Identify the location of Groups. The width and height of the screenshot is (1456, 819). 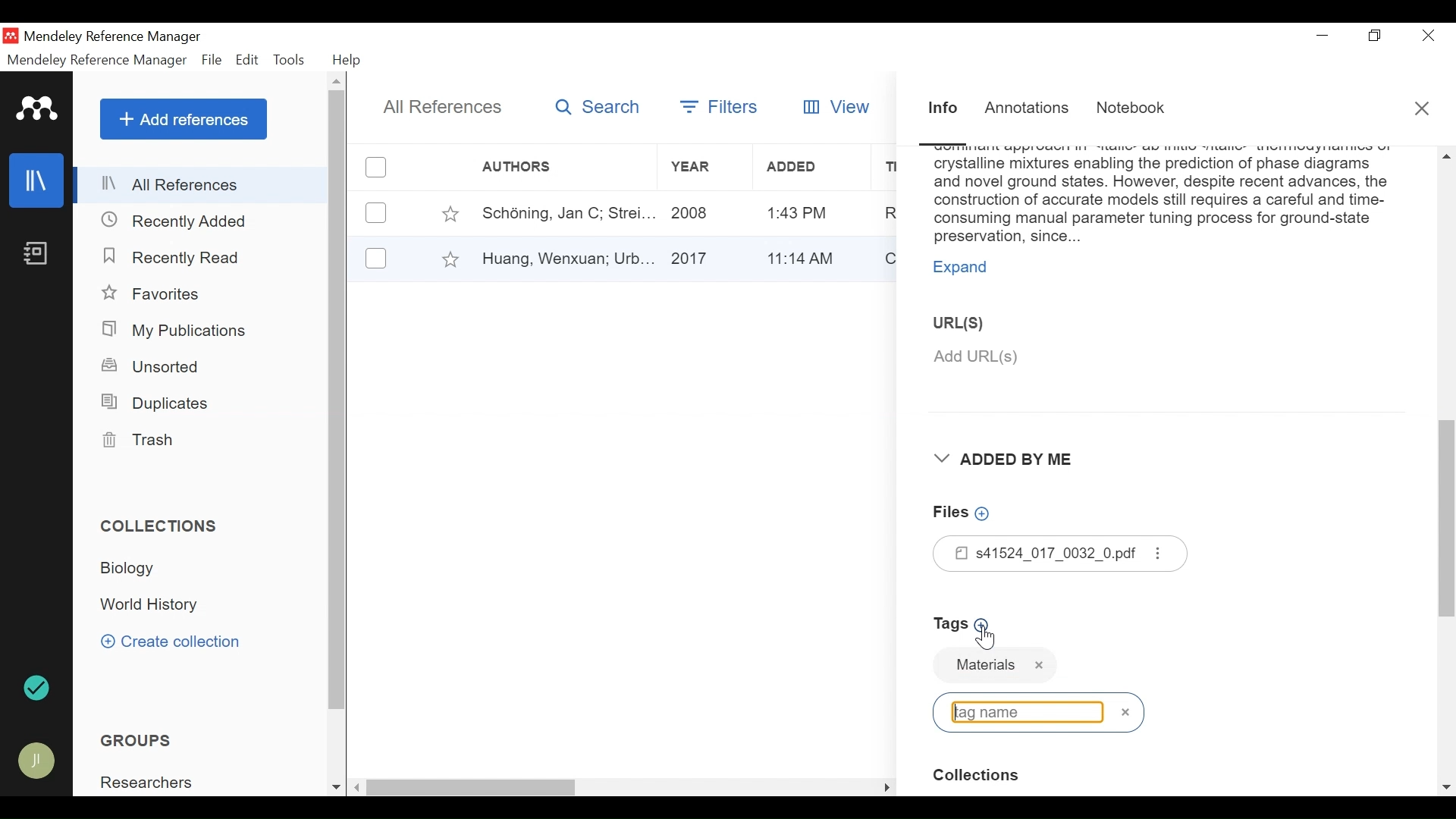
(140, 741).